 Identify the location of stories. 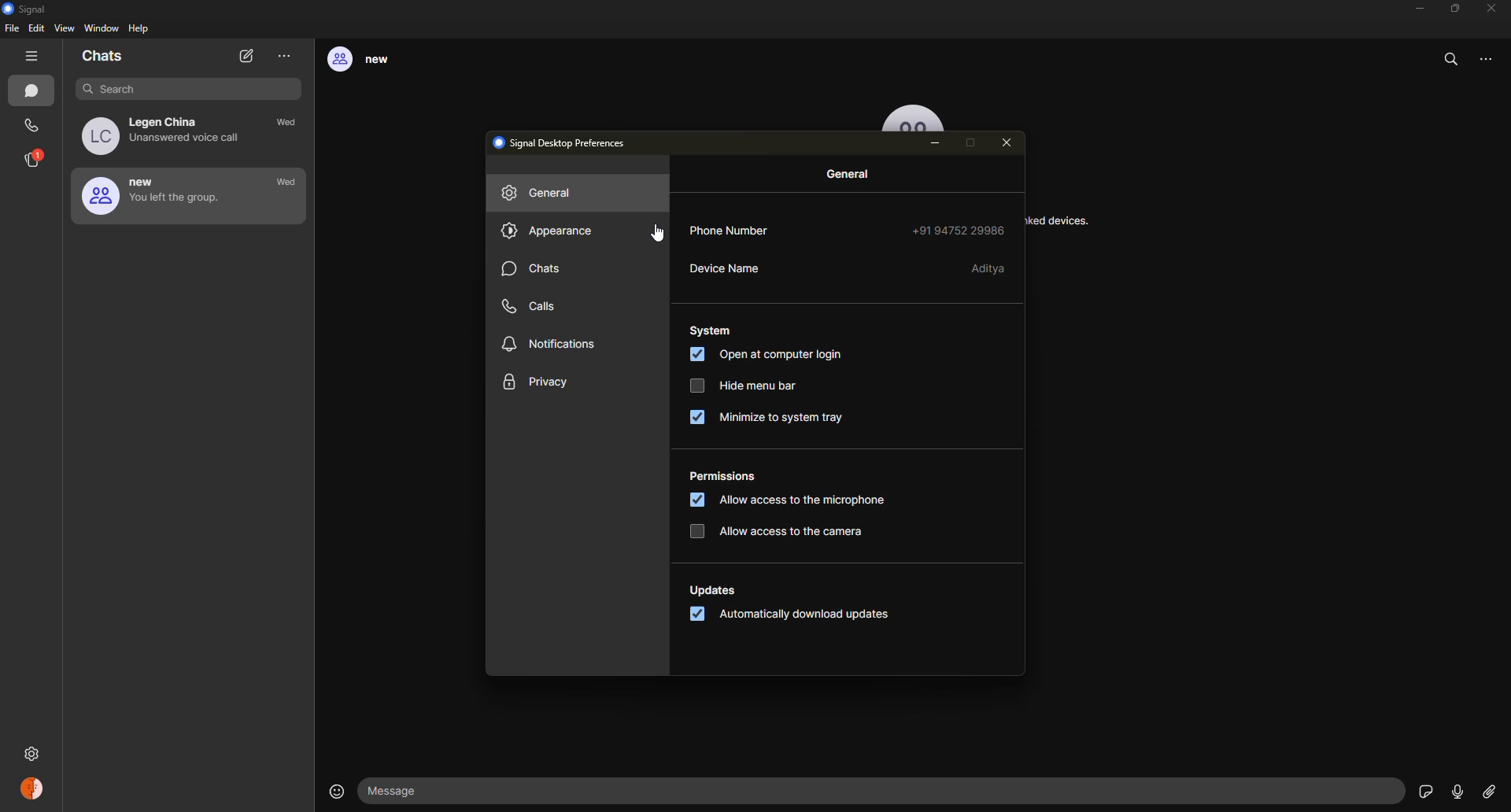
(35, 159).